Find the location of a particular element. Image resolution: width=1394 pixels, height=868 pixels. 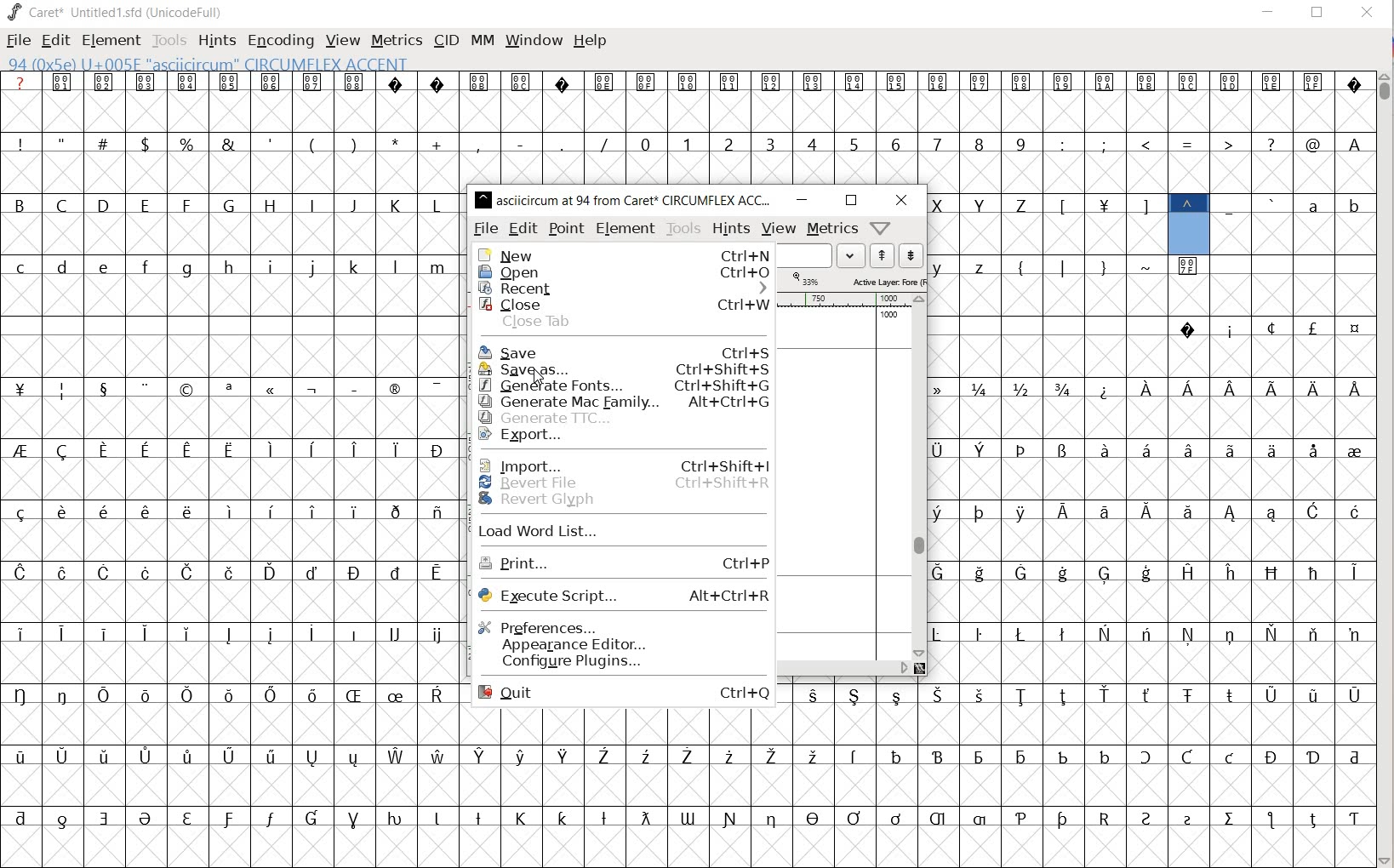

tools is located at coordinates (684, 228).